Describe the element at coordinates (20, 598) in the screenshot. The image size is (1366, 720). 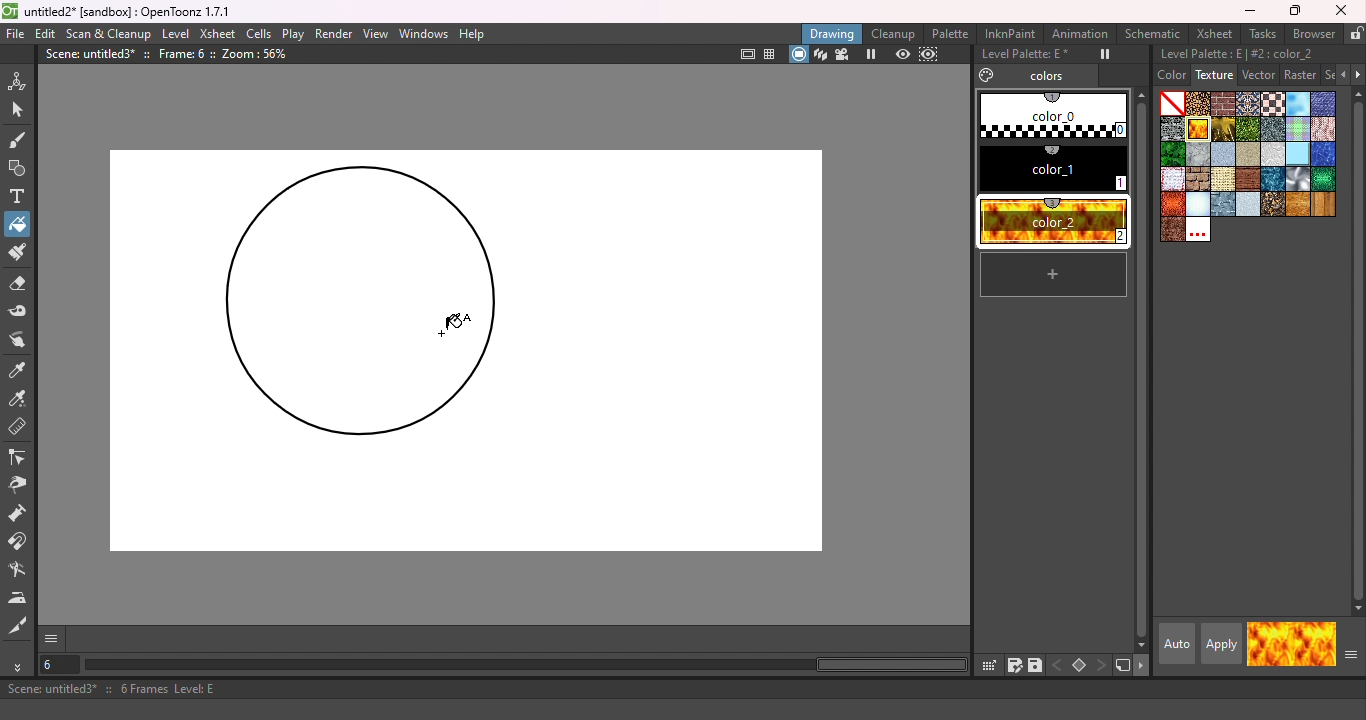
I see `Iron tool` at that location.